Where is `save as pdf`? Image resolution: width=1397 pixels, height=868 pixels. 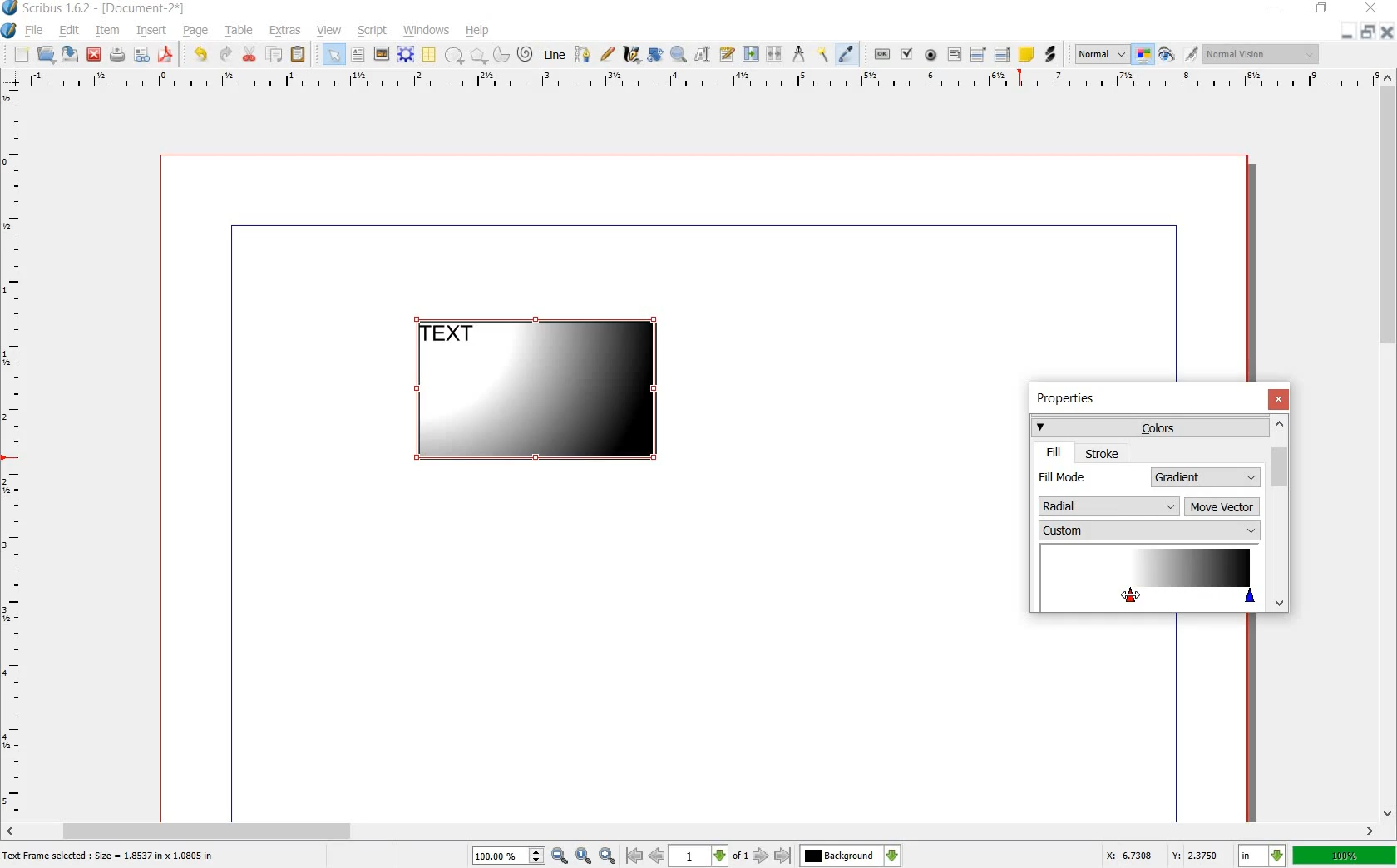
save as pdf is located at coordinates (165, 55).